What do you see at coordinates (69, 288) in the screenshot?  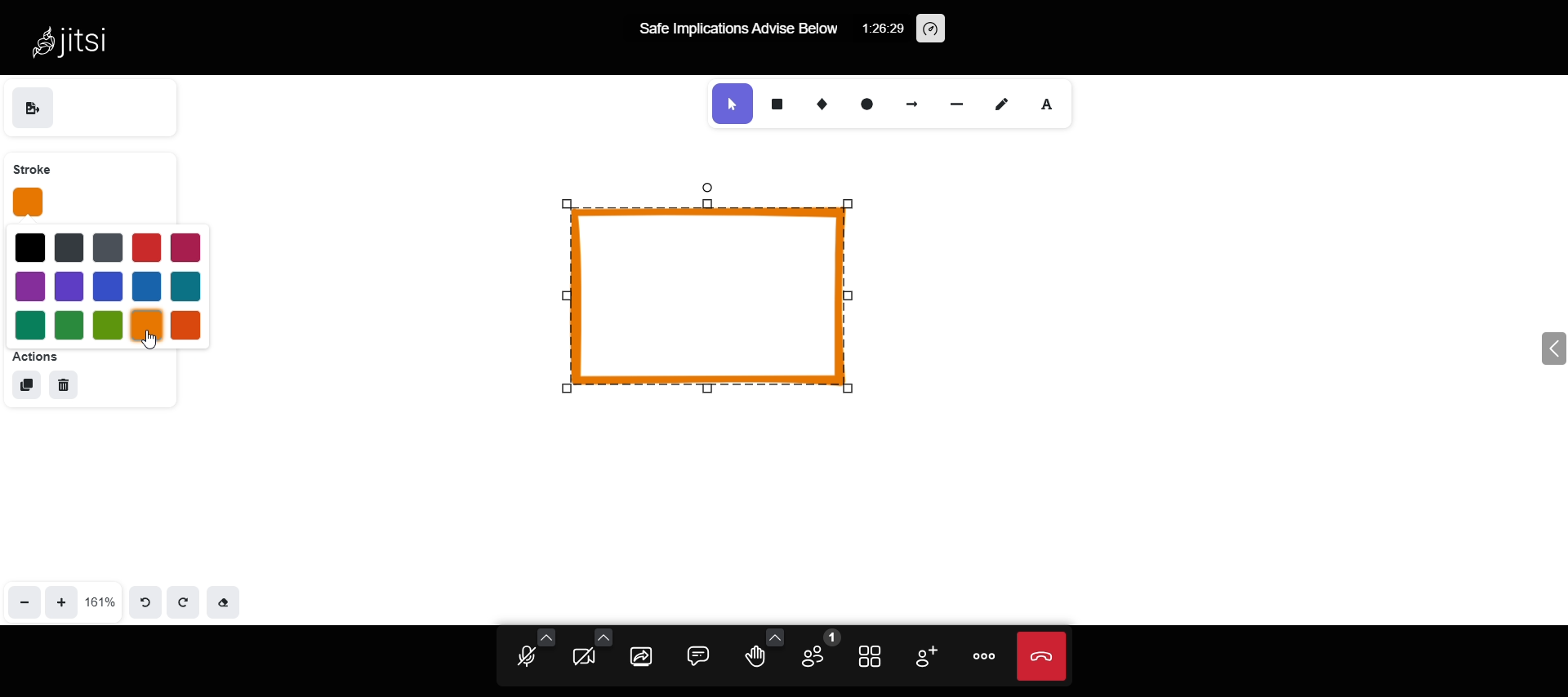 I see `purple 2` at bounding box center [69, 288].